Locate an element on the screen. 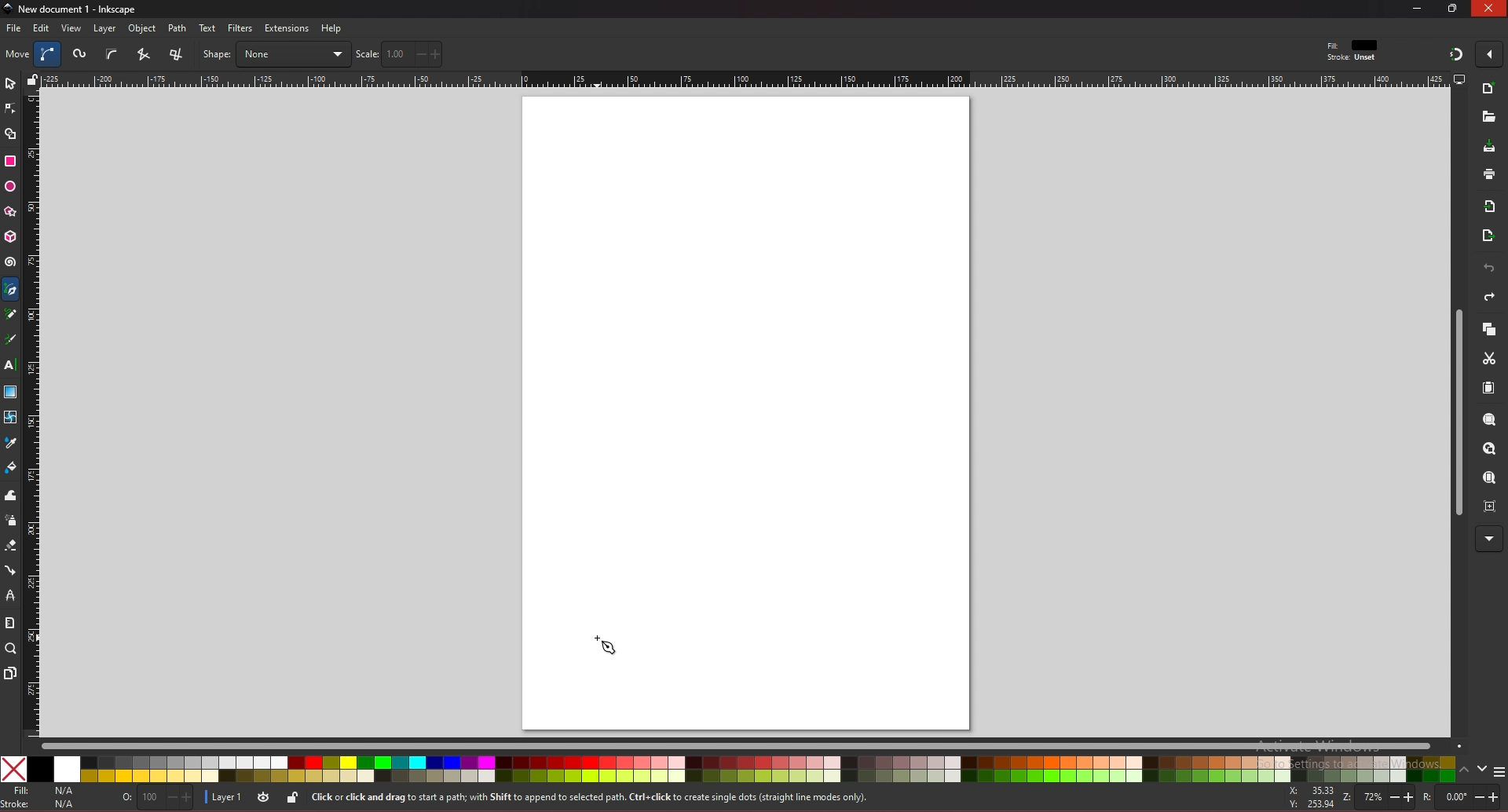  shape builder is located at coordinates (11, 134).